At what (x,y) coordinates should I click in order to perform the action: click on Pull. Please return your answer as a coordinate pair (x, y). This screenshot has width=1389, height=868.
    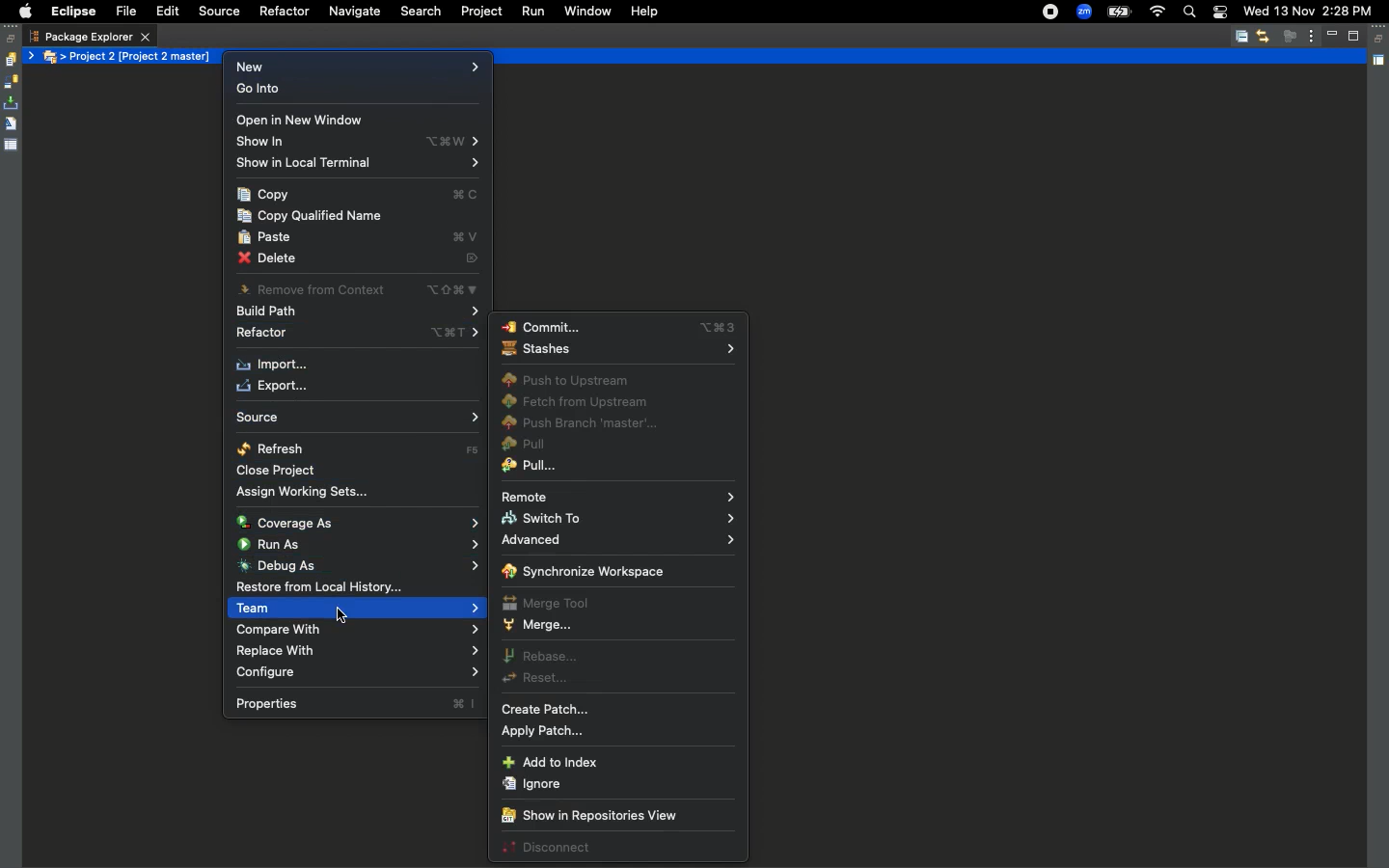
    Looking at the image, I should click on (525, 447).